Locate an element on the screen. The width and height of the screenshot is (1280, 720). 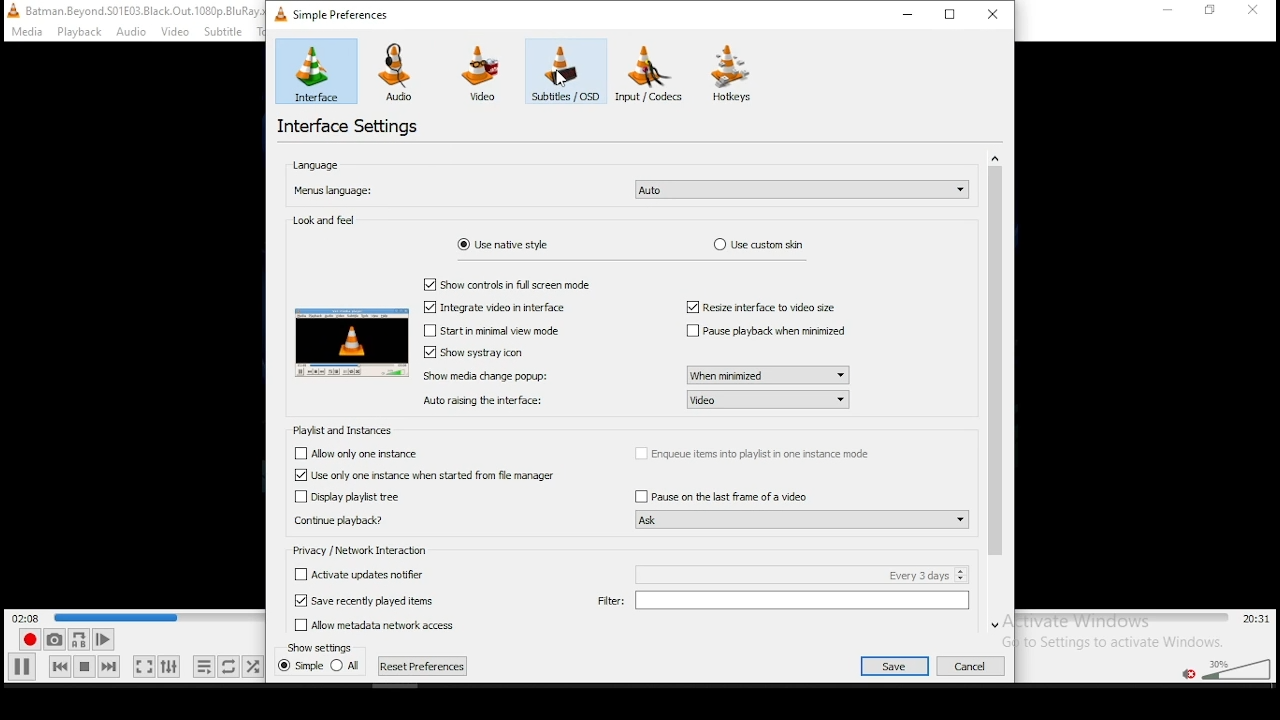
input/codecs is located at coordinates (654, 73).